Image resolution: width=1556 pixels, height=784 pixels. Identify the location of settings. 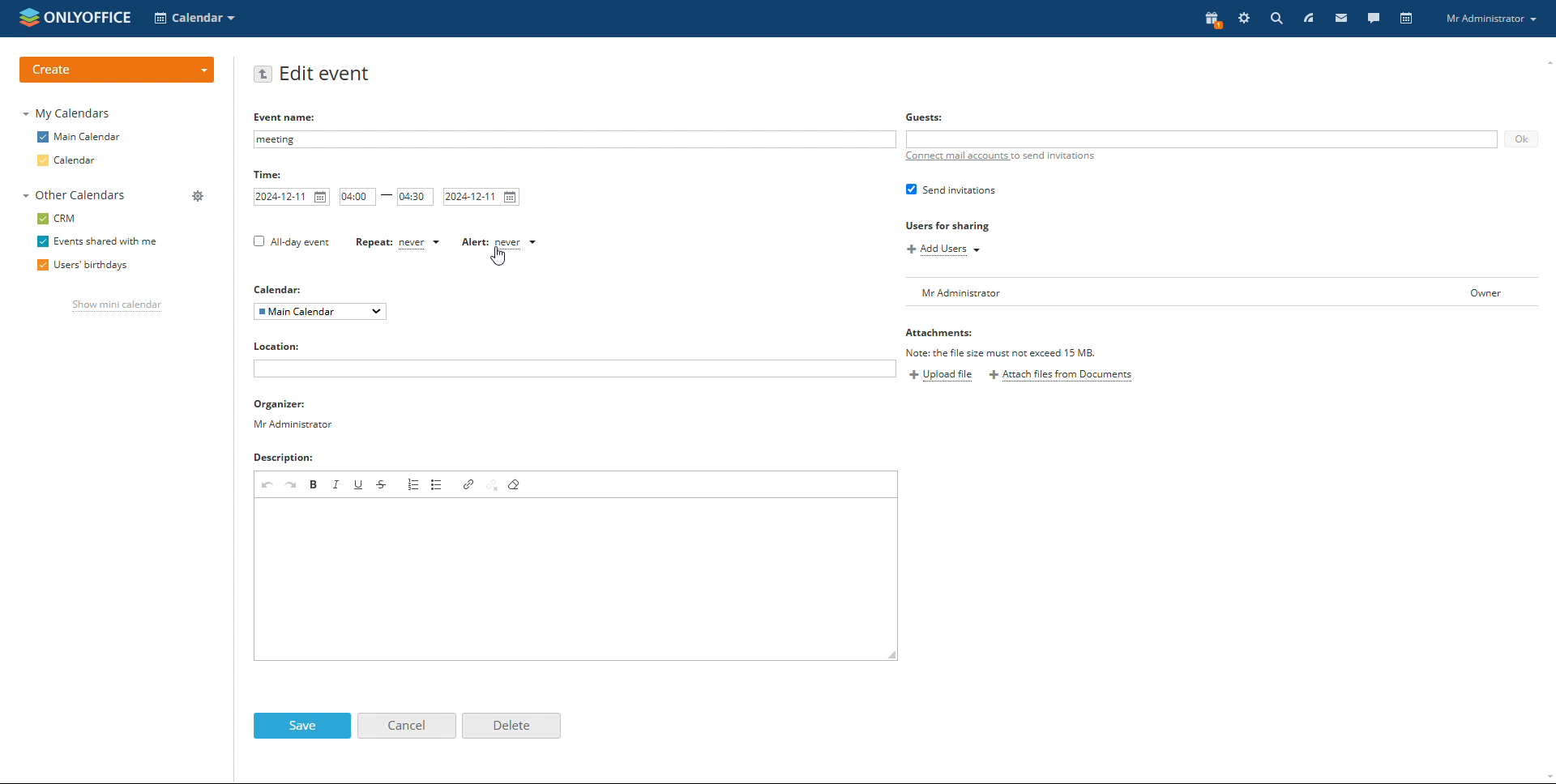
(1244, 19).